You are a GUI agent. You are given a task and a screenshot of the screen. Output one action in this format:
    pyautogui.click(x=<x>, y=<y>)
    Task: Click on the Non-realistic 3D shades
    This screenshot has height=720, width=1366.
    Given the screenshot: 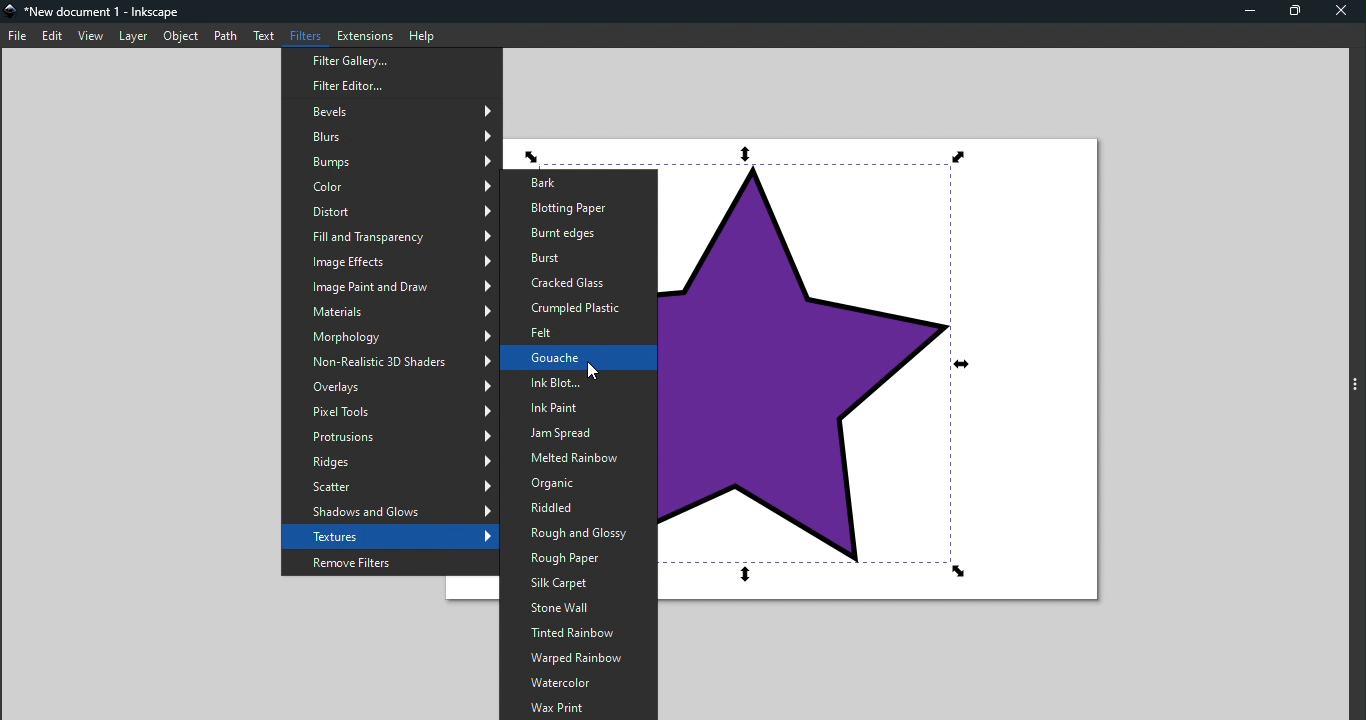 What is the action you would take?
    pyautogui.click(x=389, y=364)
    